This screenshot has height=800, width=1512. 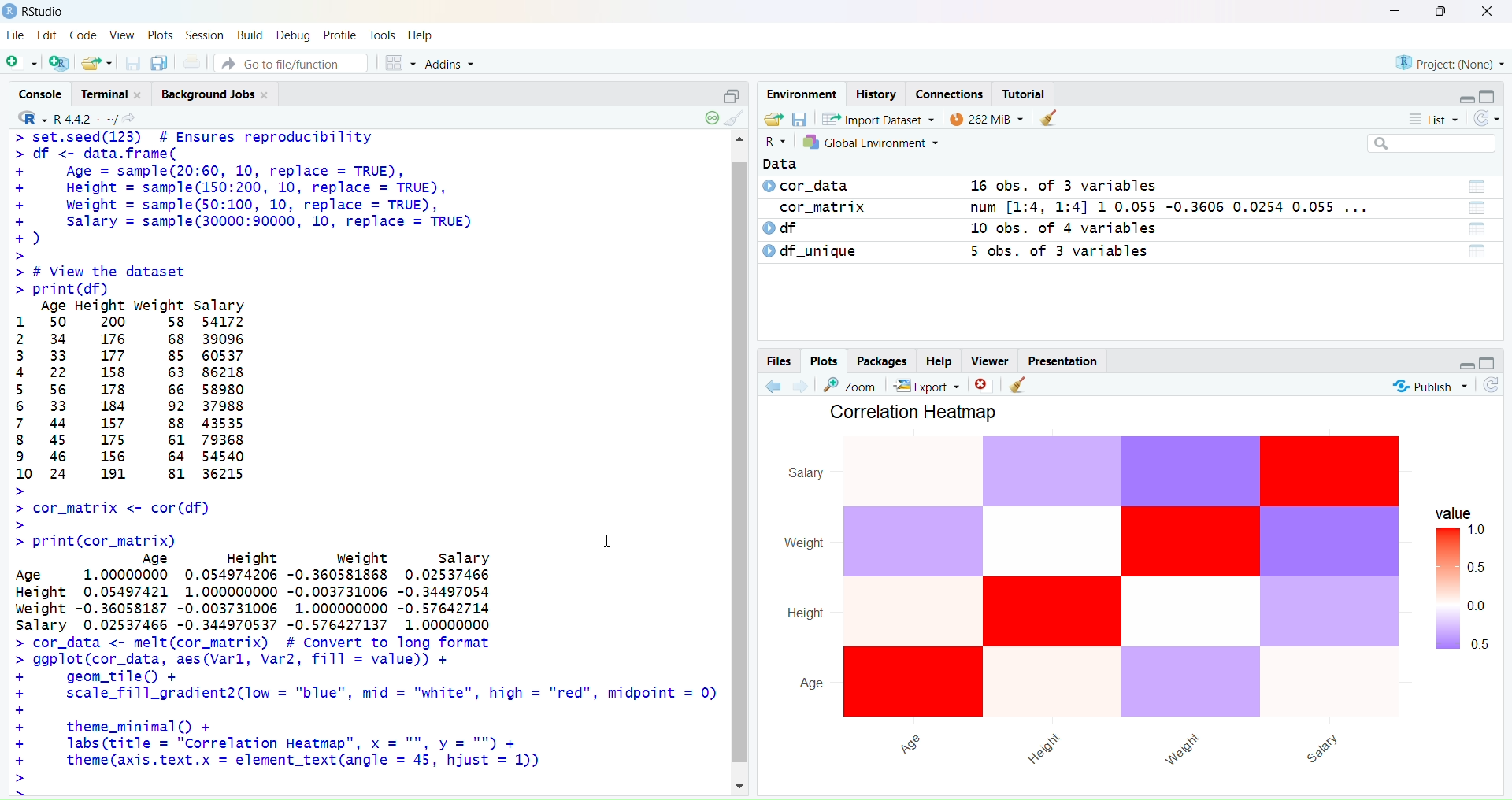 I want to click on Tutorial, so click(x=1026, y=93).